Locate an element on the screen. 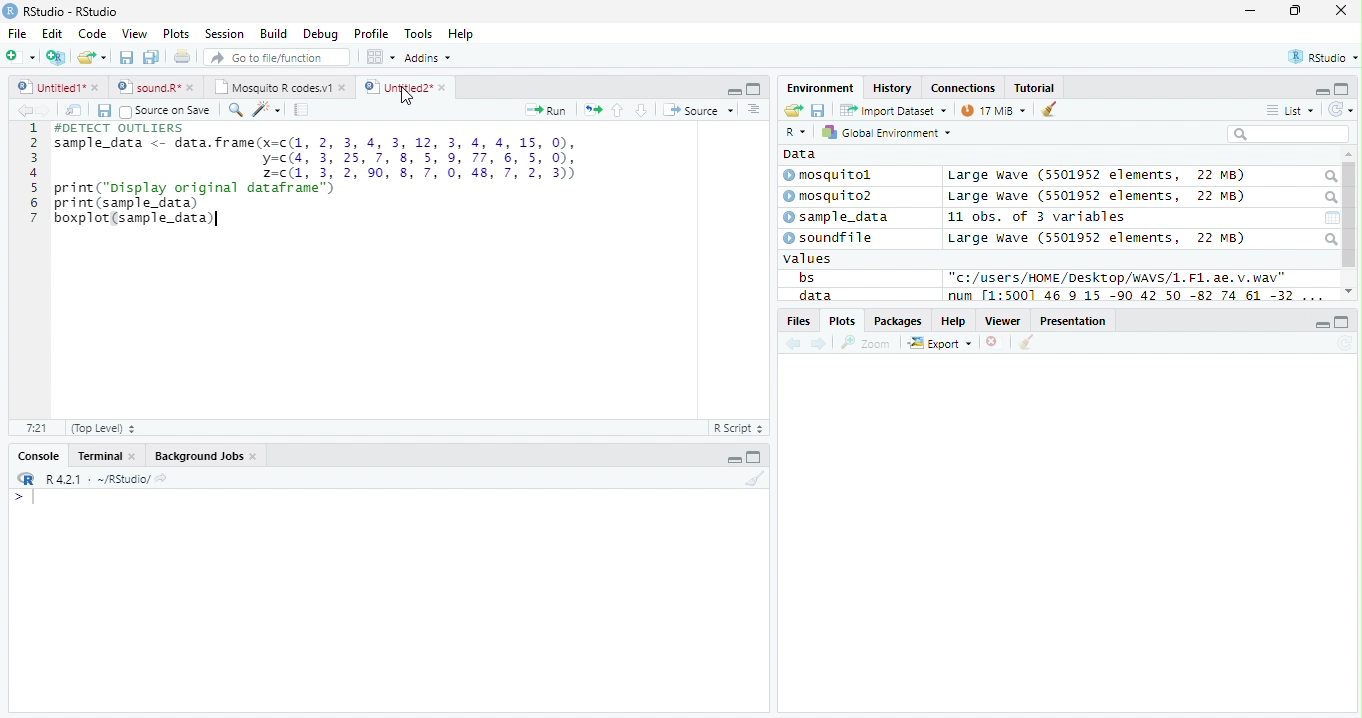 Image resolution: width=1362 pixels, height=718 pixels. Compile report is located at coordinates (302, 110).